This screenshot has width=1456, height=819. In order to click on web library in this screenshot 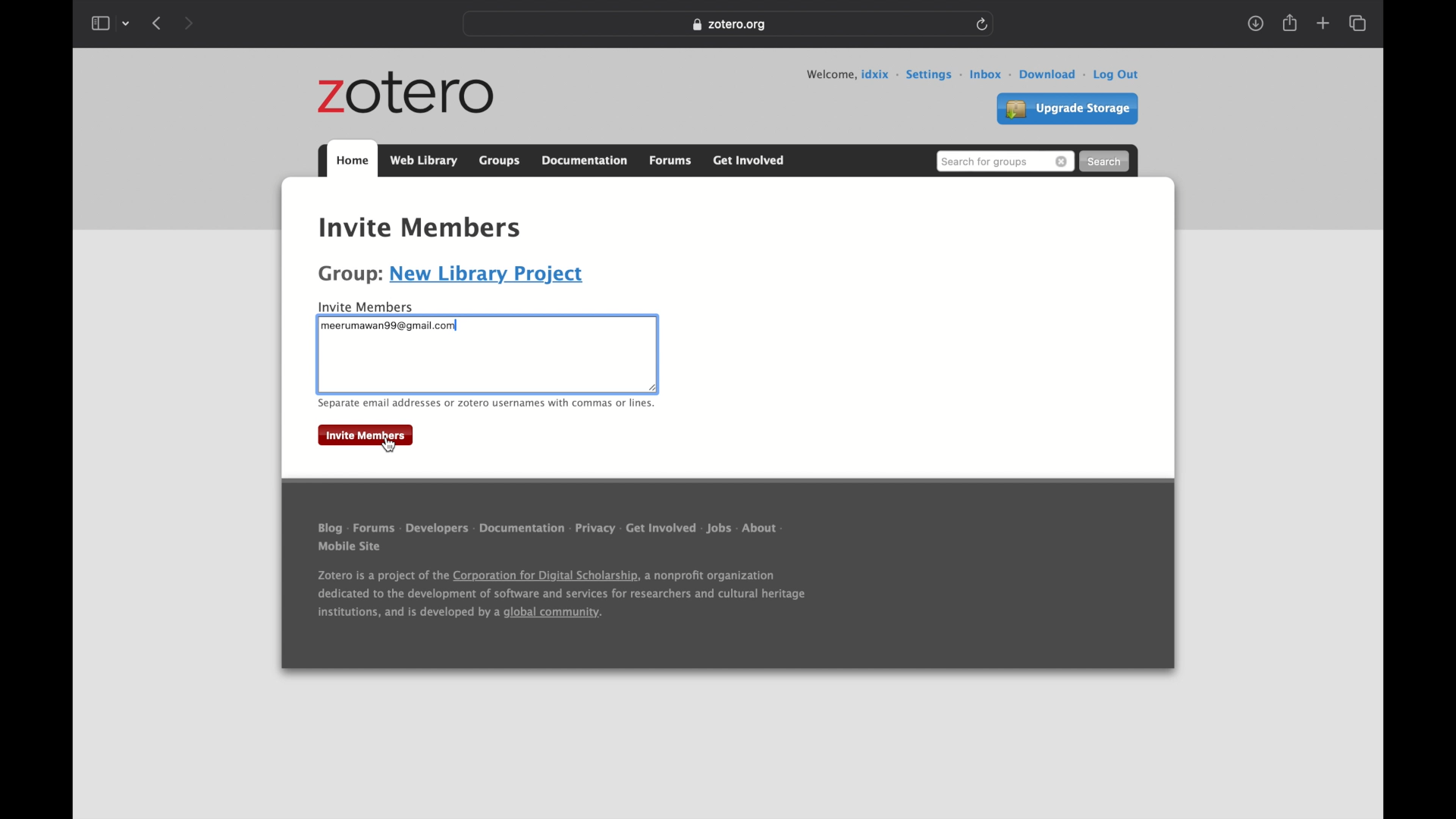, I will do `click(423, 161)`.